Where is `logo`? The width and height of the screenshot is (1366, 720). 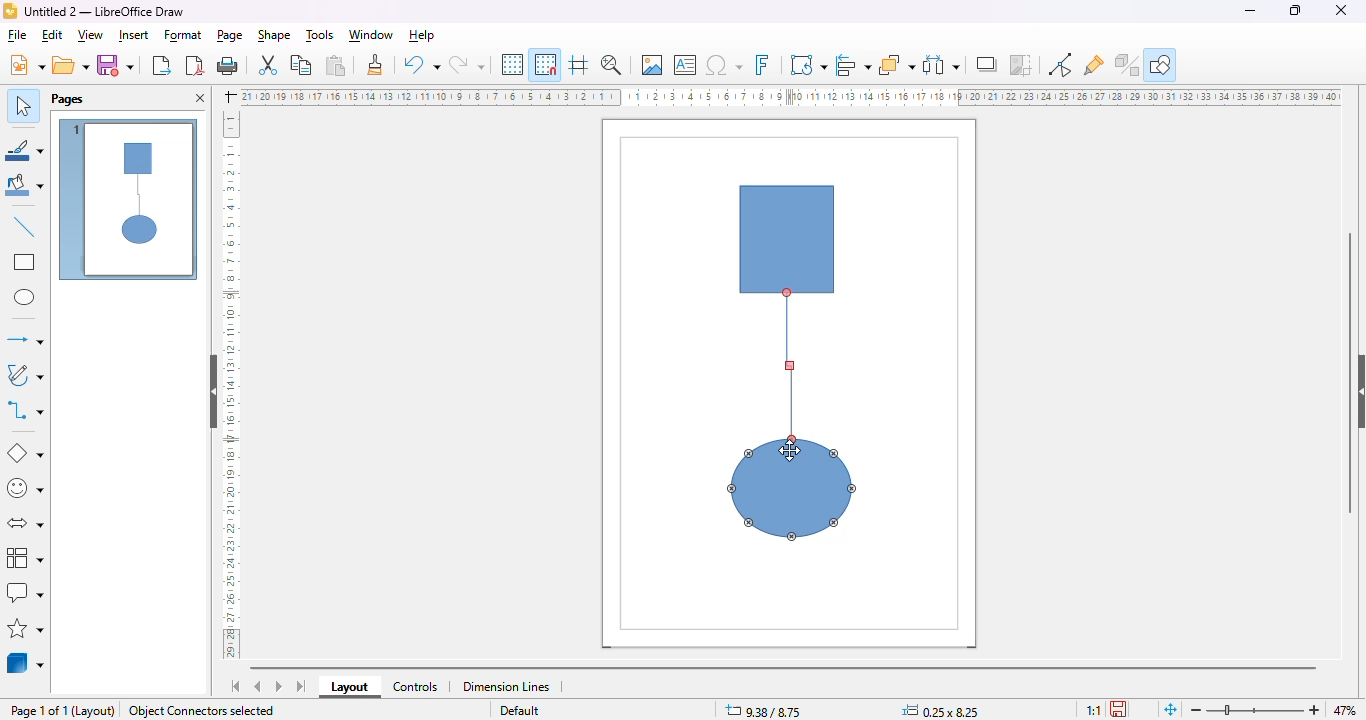
logo is located at coordinates (10, 11).